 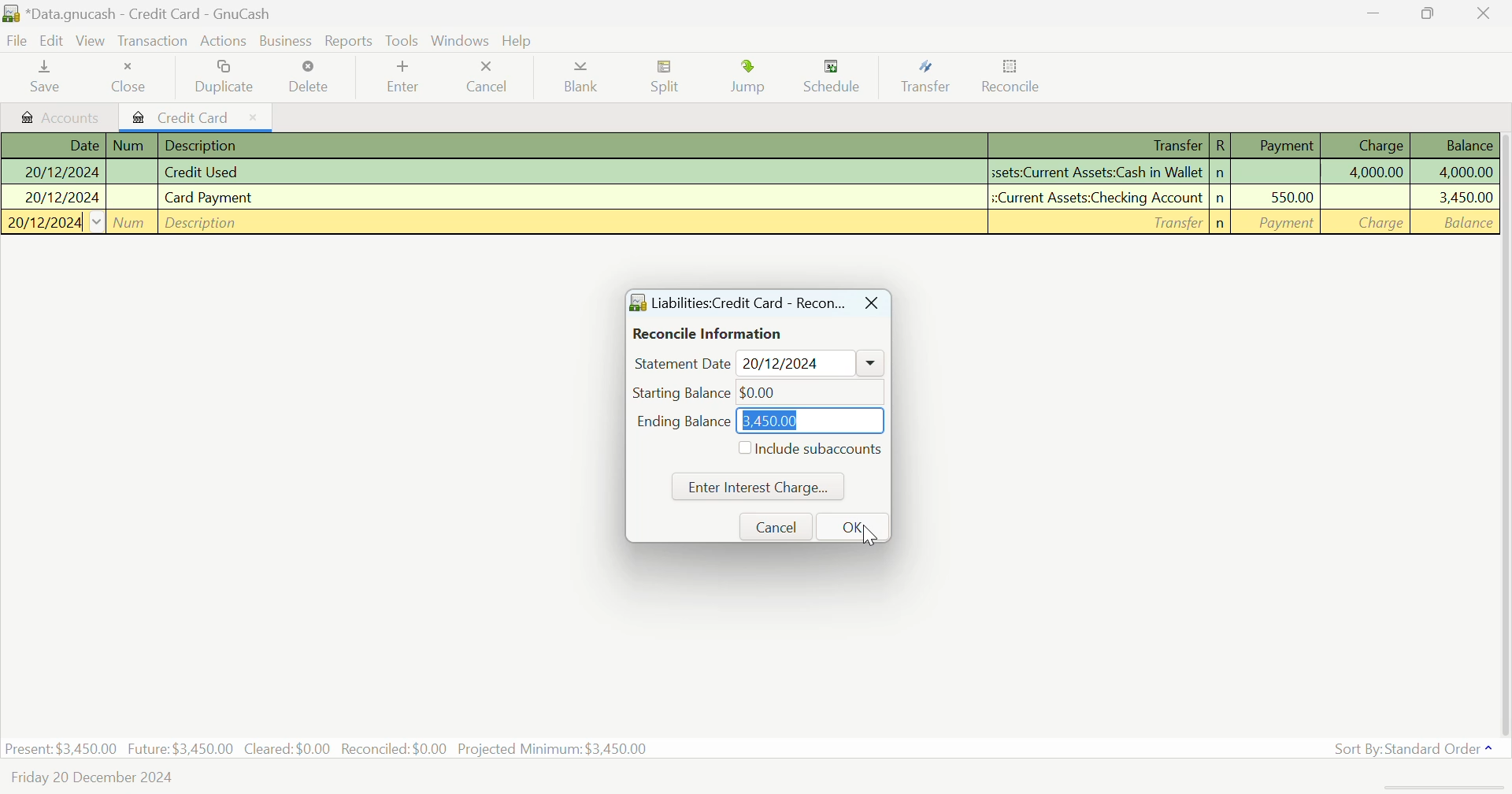 What do you see at coordinates (311, 77) in the screenshot?
I see `Delete` at bounding box center [311, 77].